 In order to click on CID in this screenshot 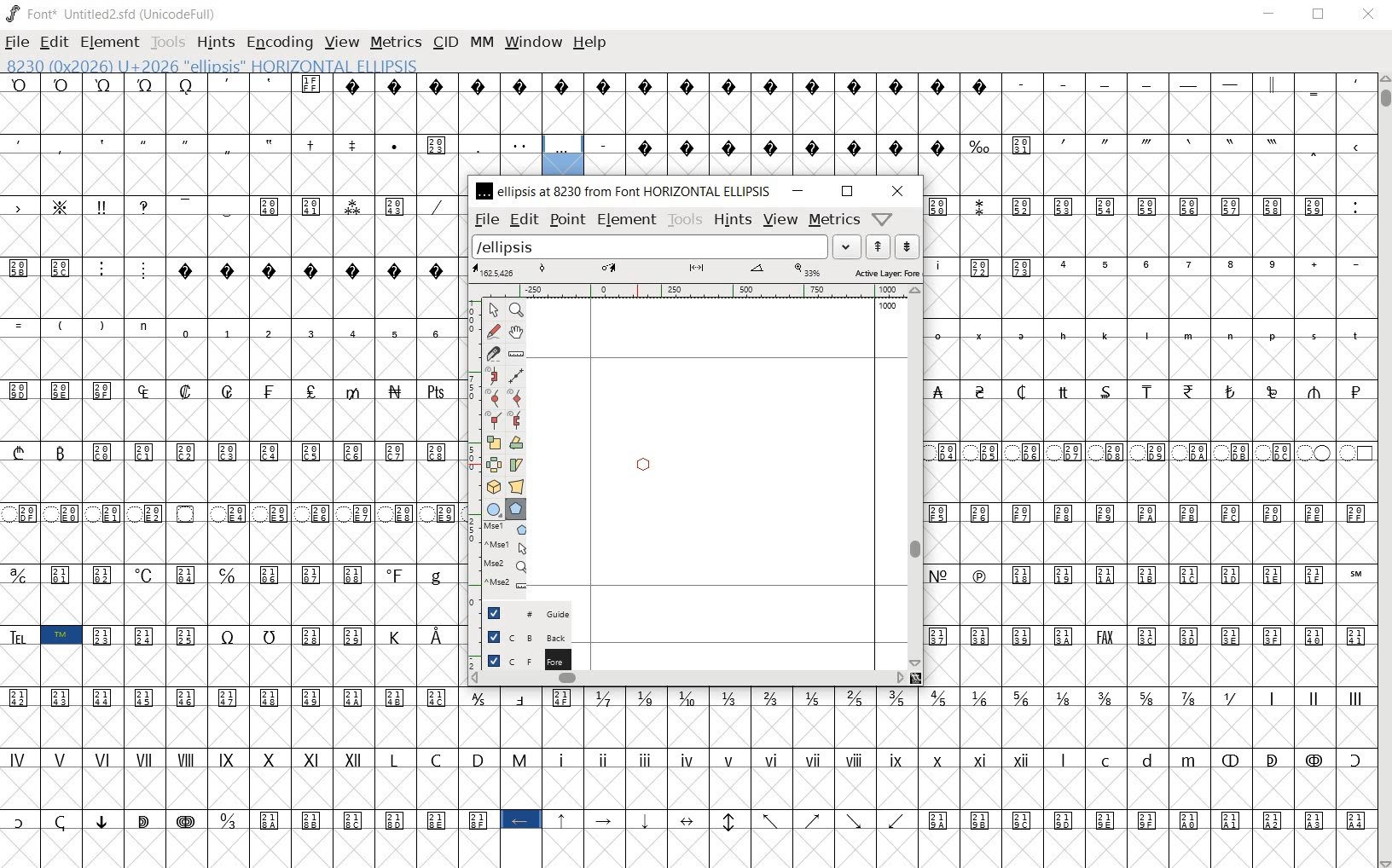, I will do `click(445, 43)`.